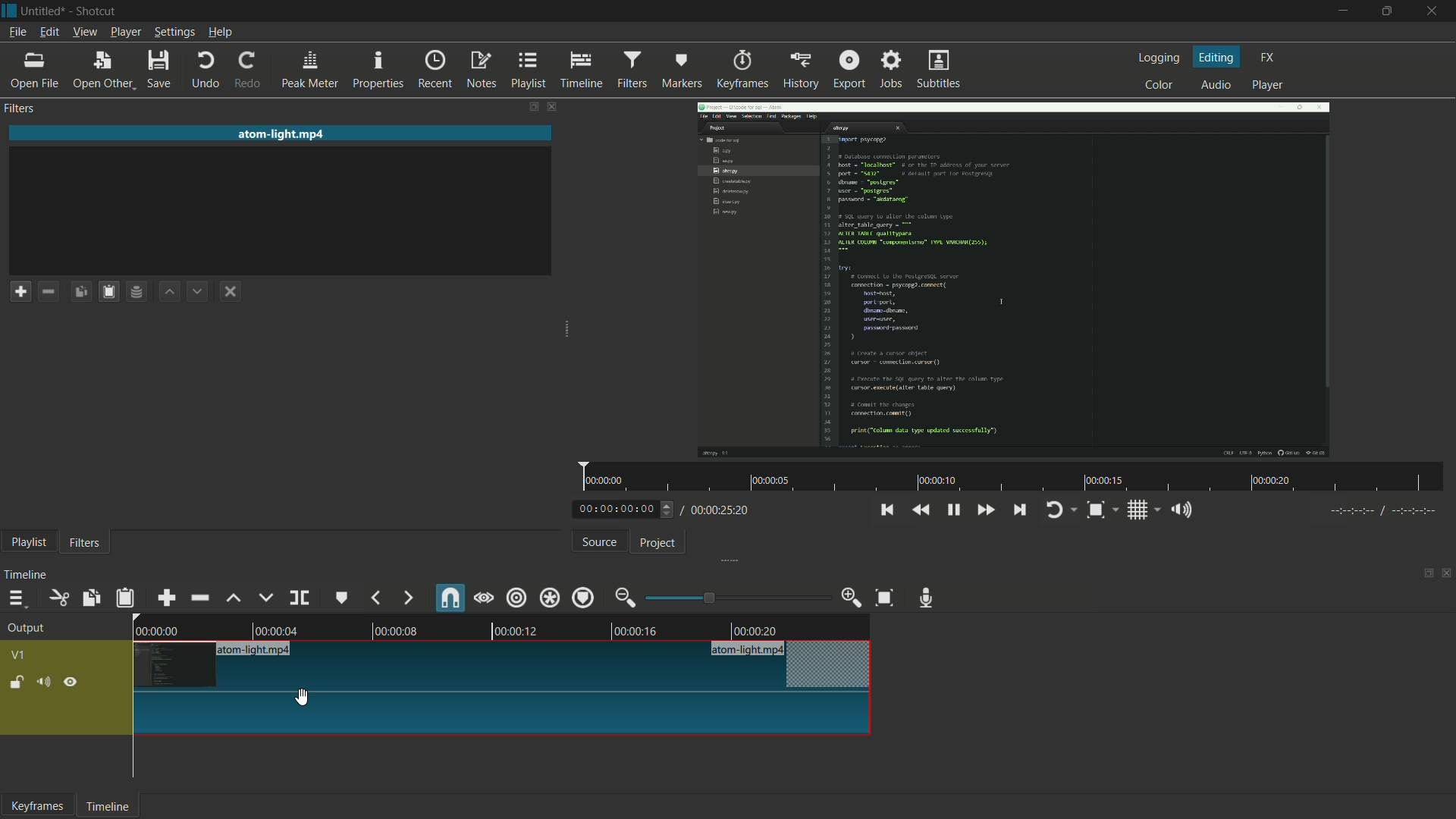  Describe the element at coordinates (43, 682) in the screenshot. I see `mute` at that location.